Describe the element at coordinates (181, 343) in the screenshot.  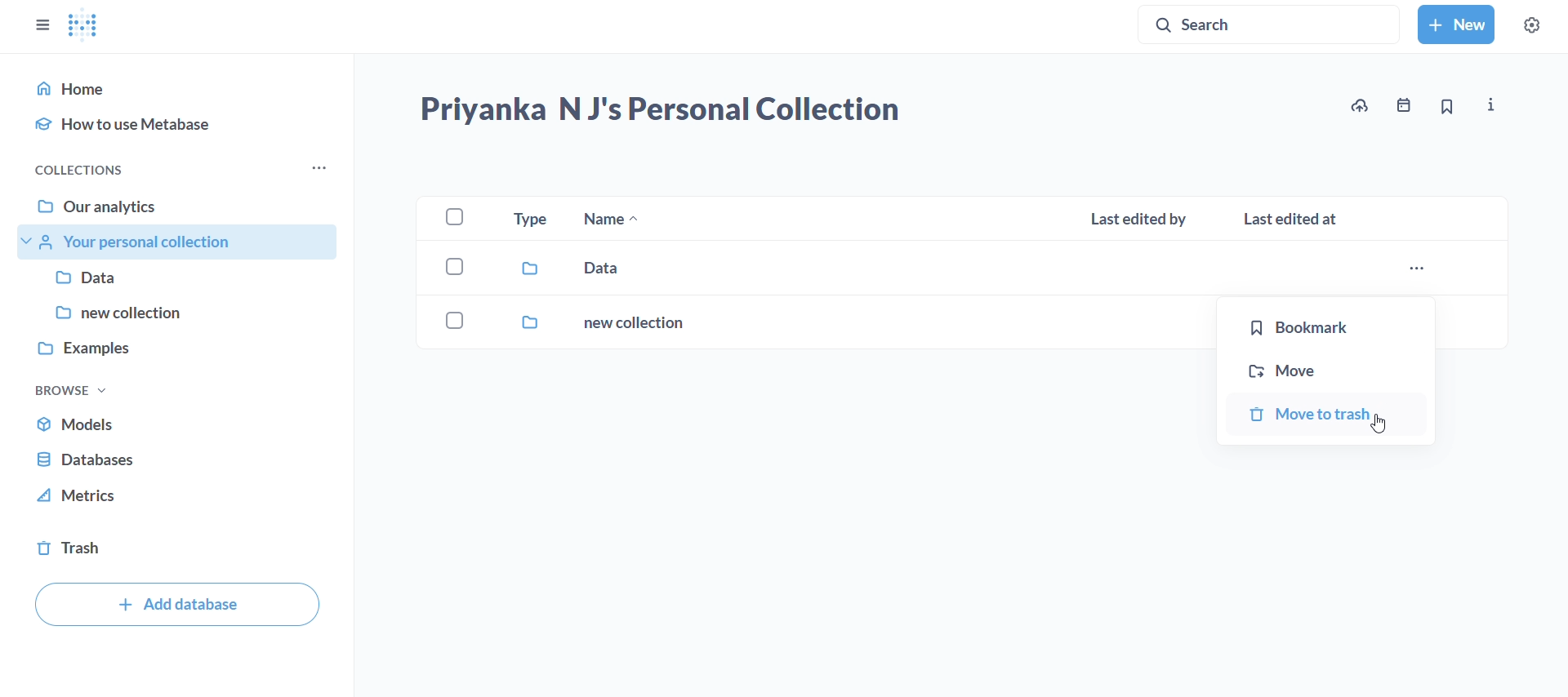
I see `examples` at that location.